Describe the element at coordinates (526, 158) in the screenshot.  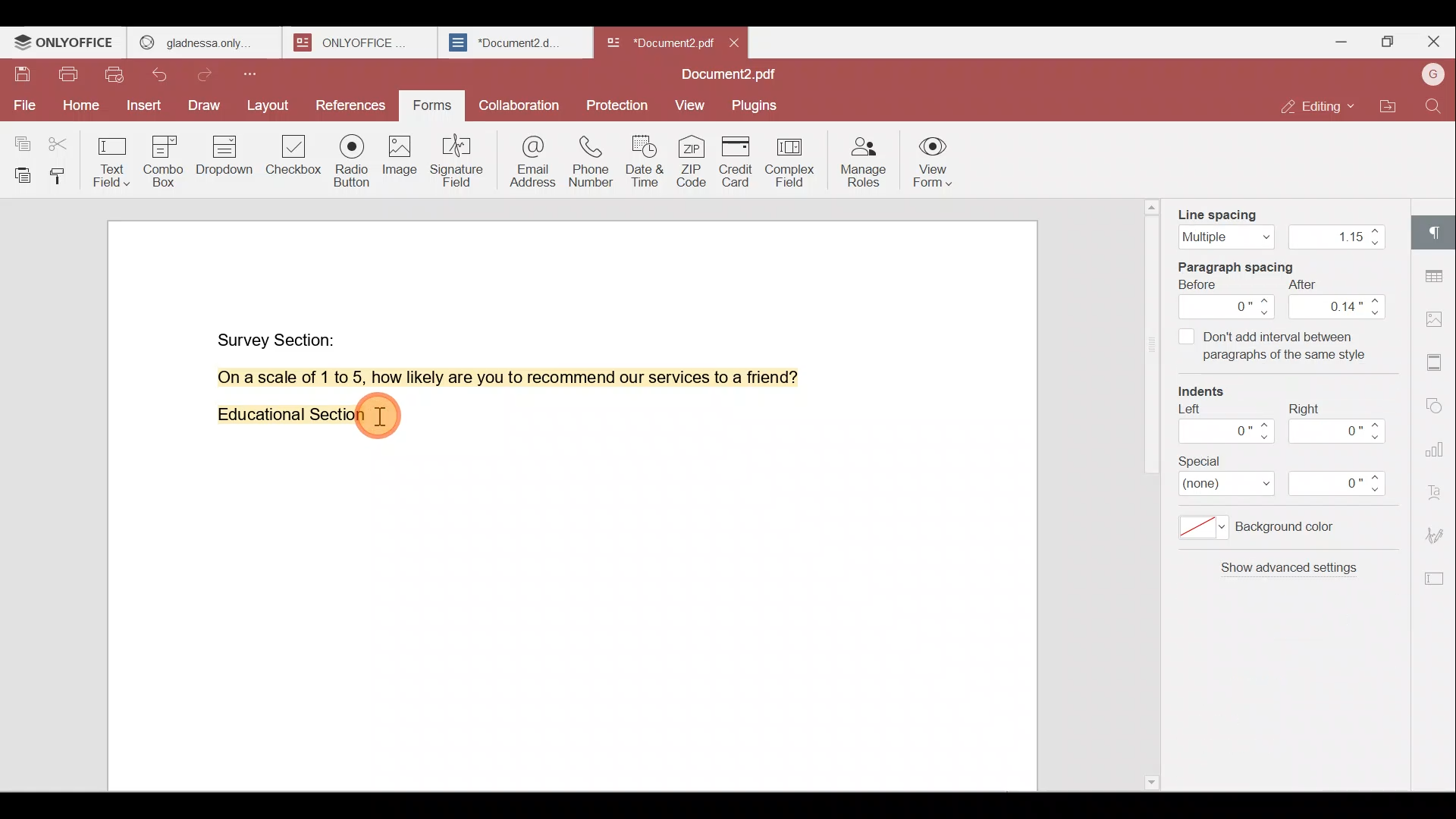
I see `Email address` at that location.